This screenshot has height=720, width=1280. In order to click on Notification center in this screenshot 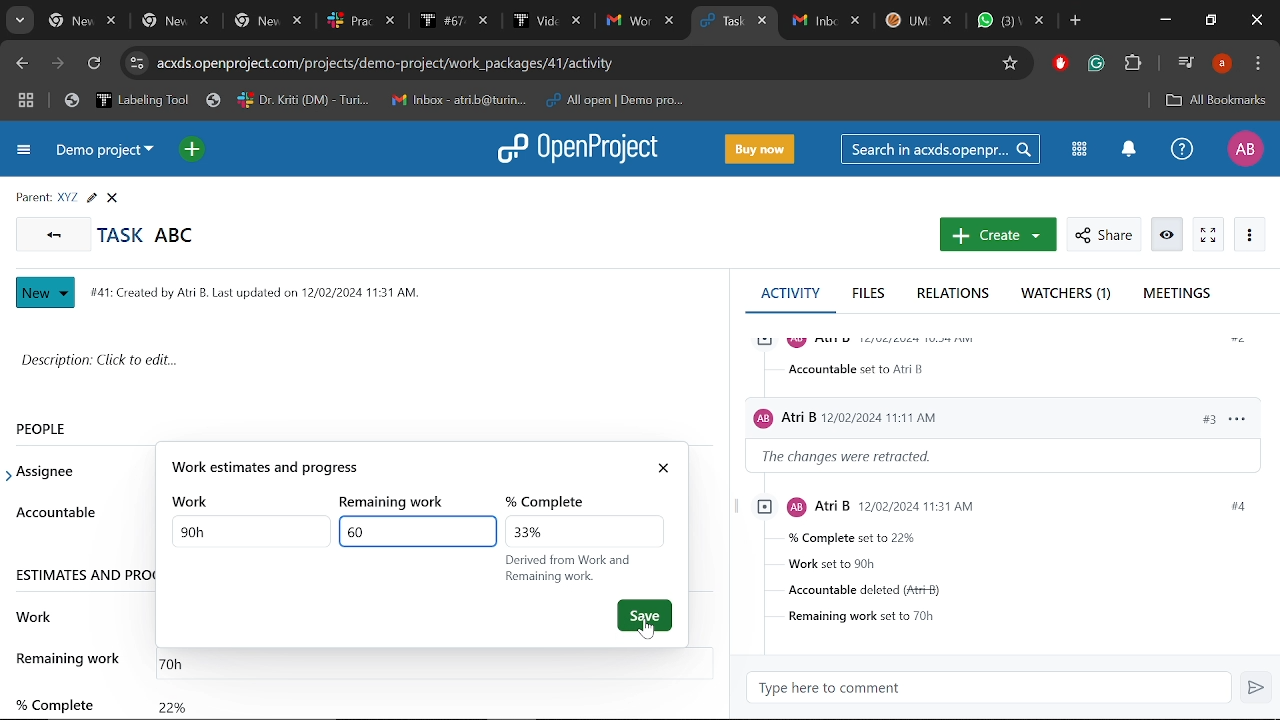, I will do `click(1126, 150)`.